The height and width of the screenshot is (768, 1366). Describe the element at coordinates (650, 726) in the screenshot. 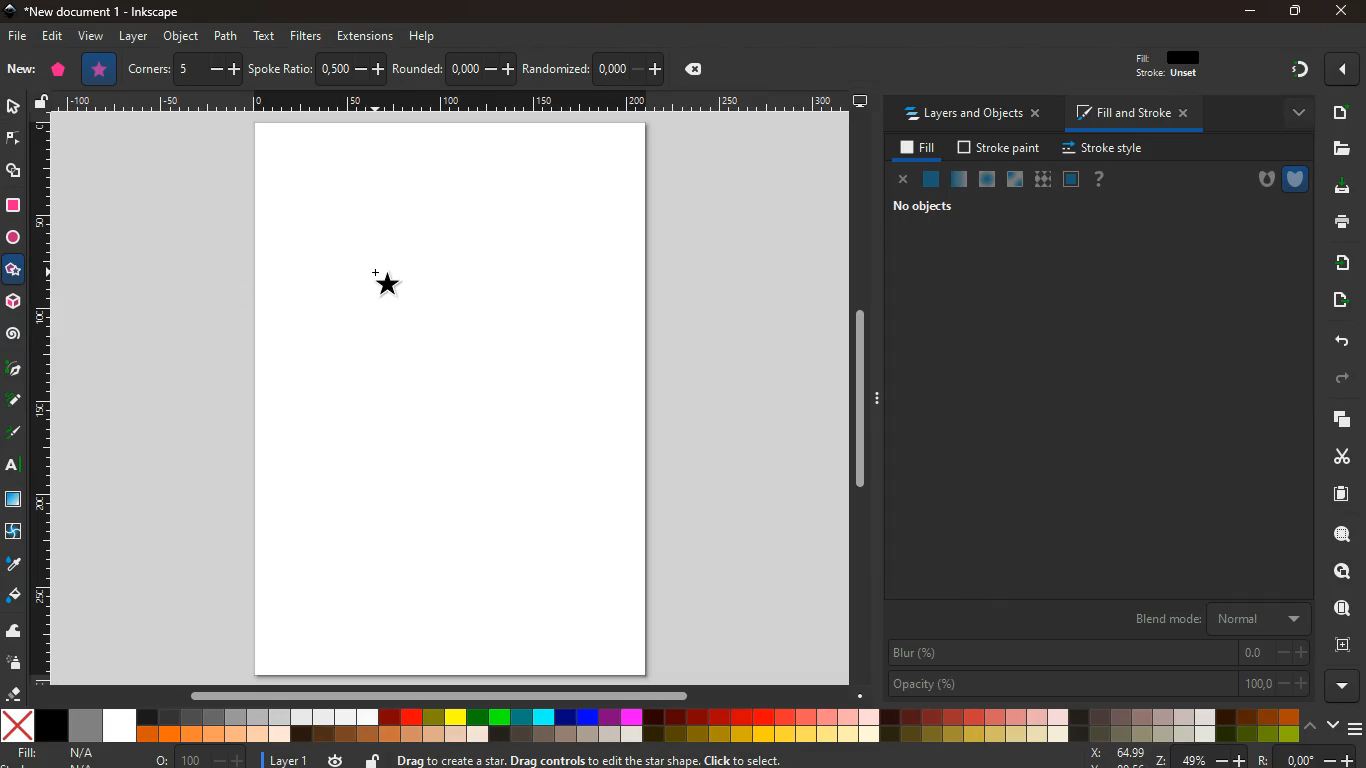

I see `color` at that location.